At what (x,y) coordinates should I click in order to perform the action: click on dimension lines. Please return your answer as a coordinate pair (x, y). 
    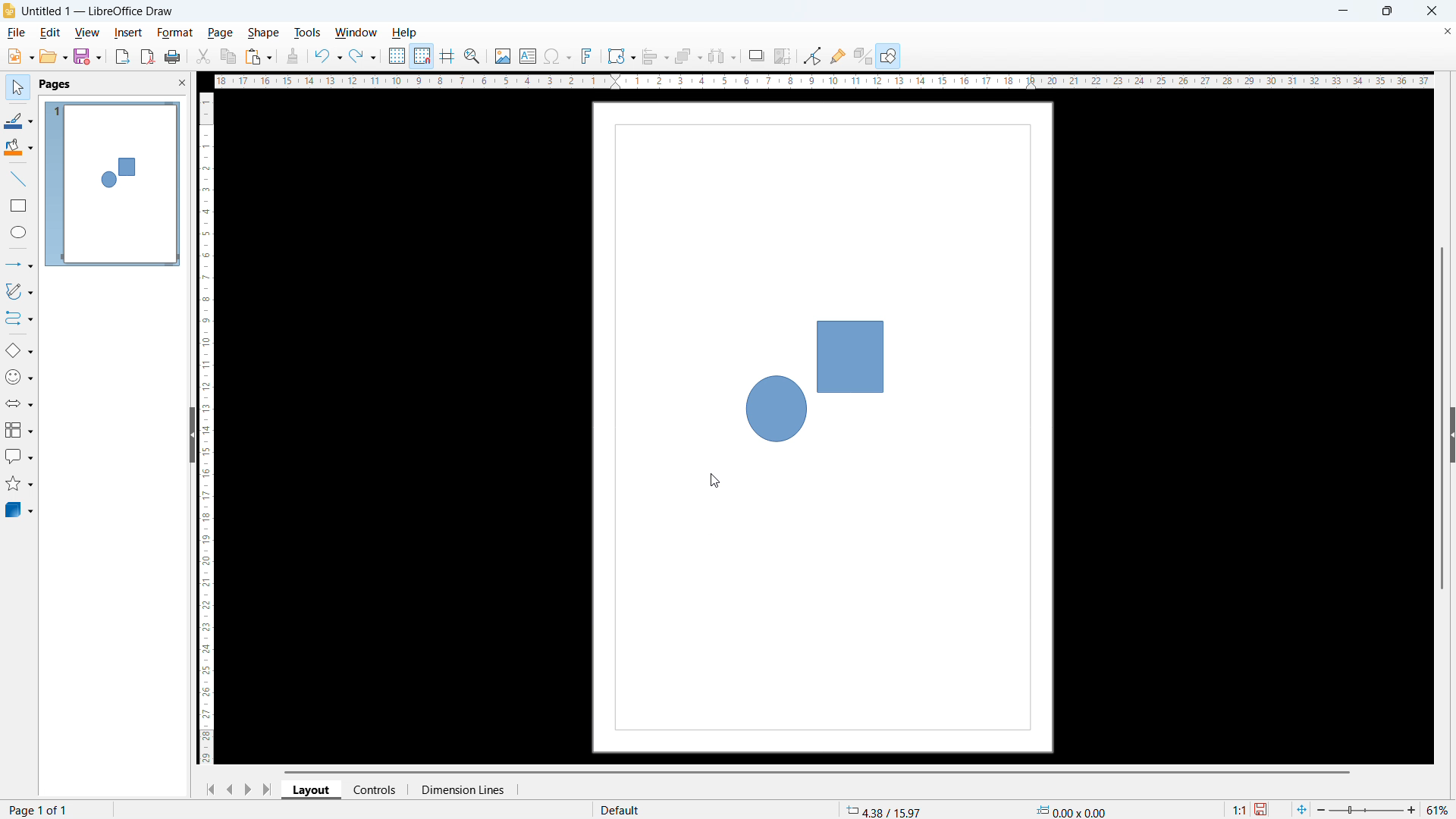
    Looking at the image, I should click on (461, 790).